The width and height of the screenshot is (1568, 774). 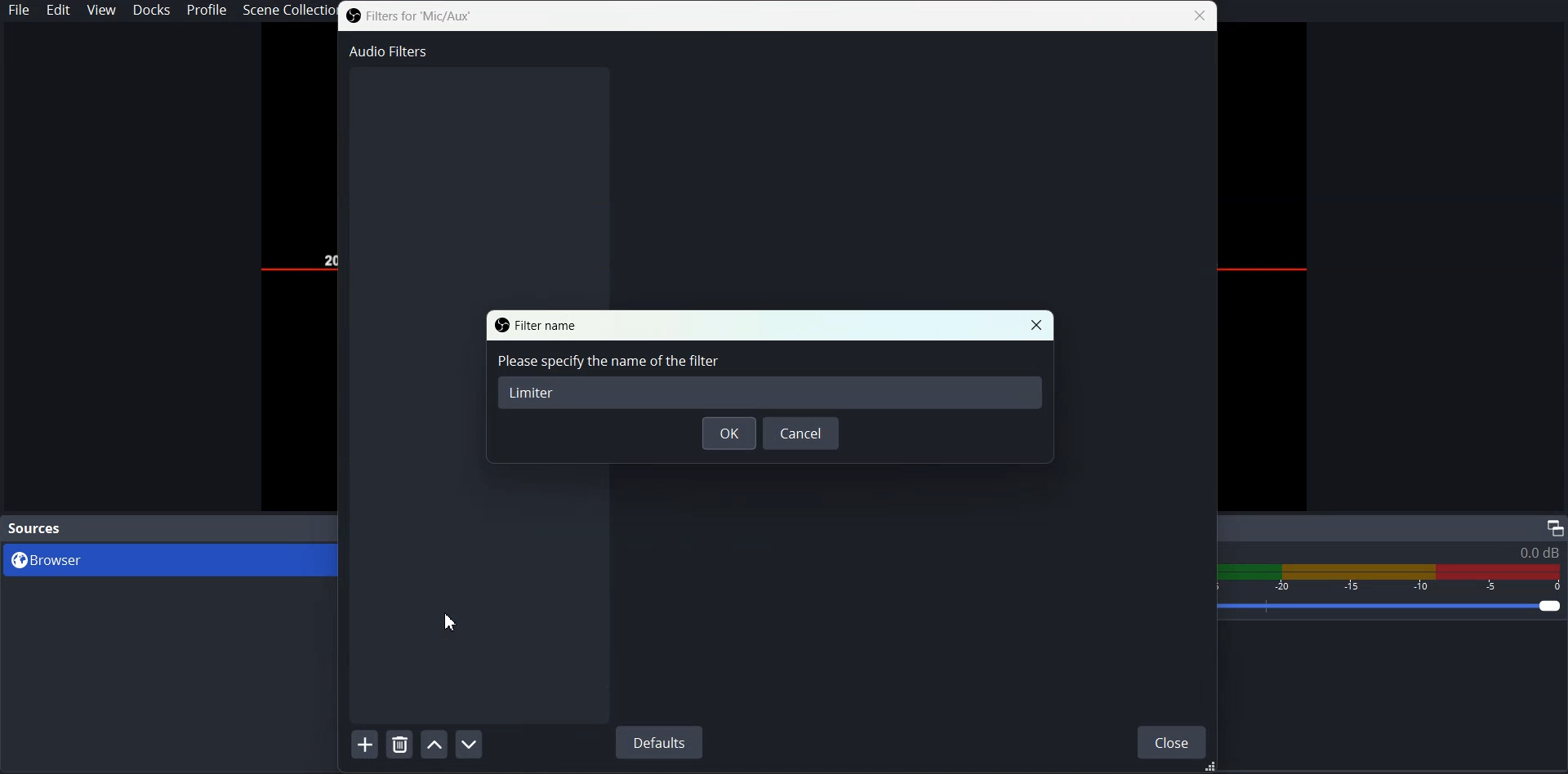 What do you see at coordinates (19, 11) in the screenshot?
I see `File` at bounding box center [19, 11].